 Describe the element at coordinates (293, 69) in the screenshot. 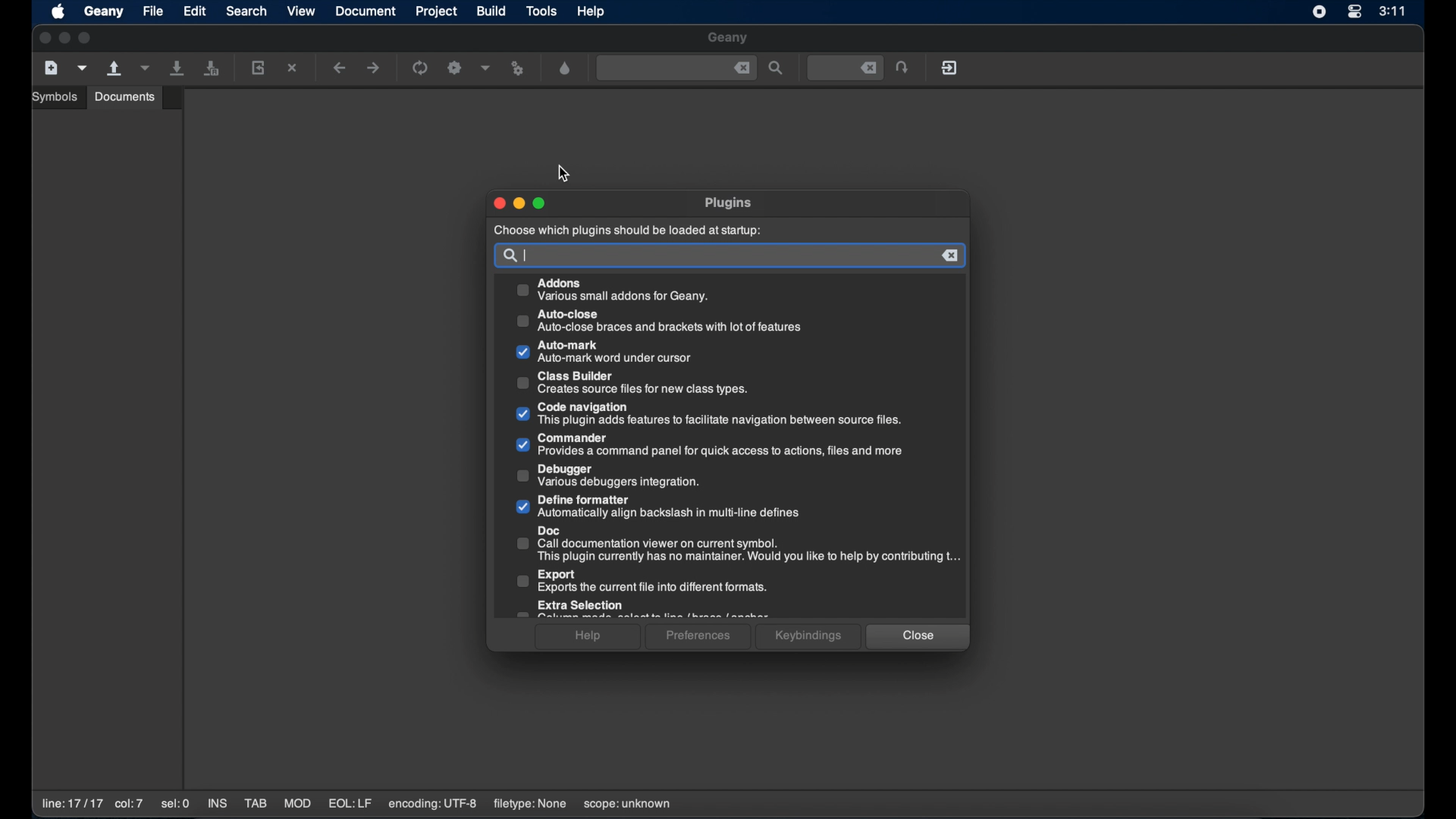

I see `close the current file` at that location.